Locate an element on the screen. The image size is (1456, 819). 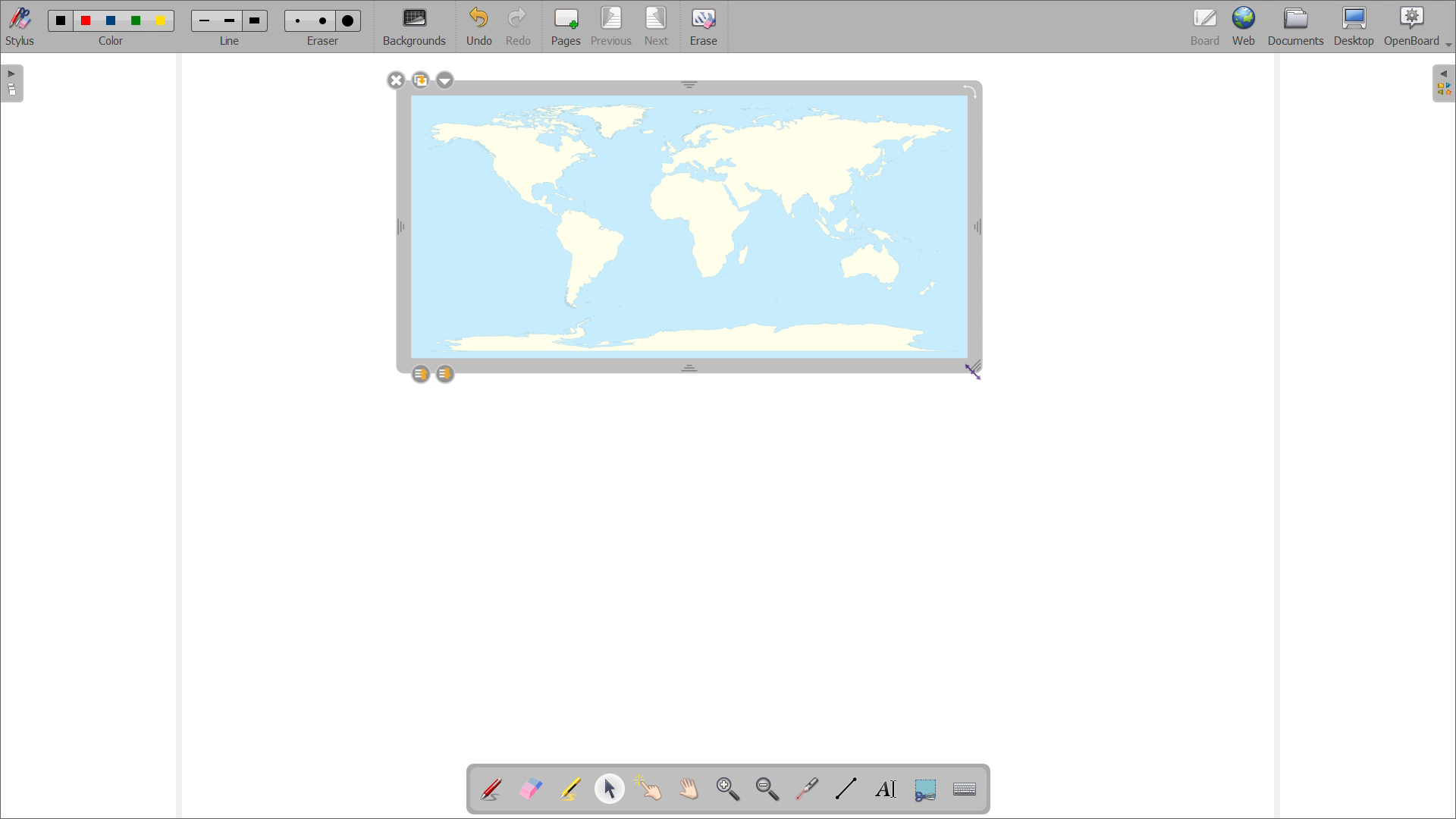
delete is located at coordinates (396, 80).